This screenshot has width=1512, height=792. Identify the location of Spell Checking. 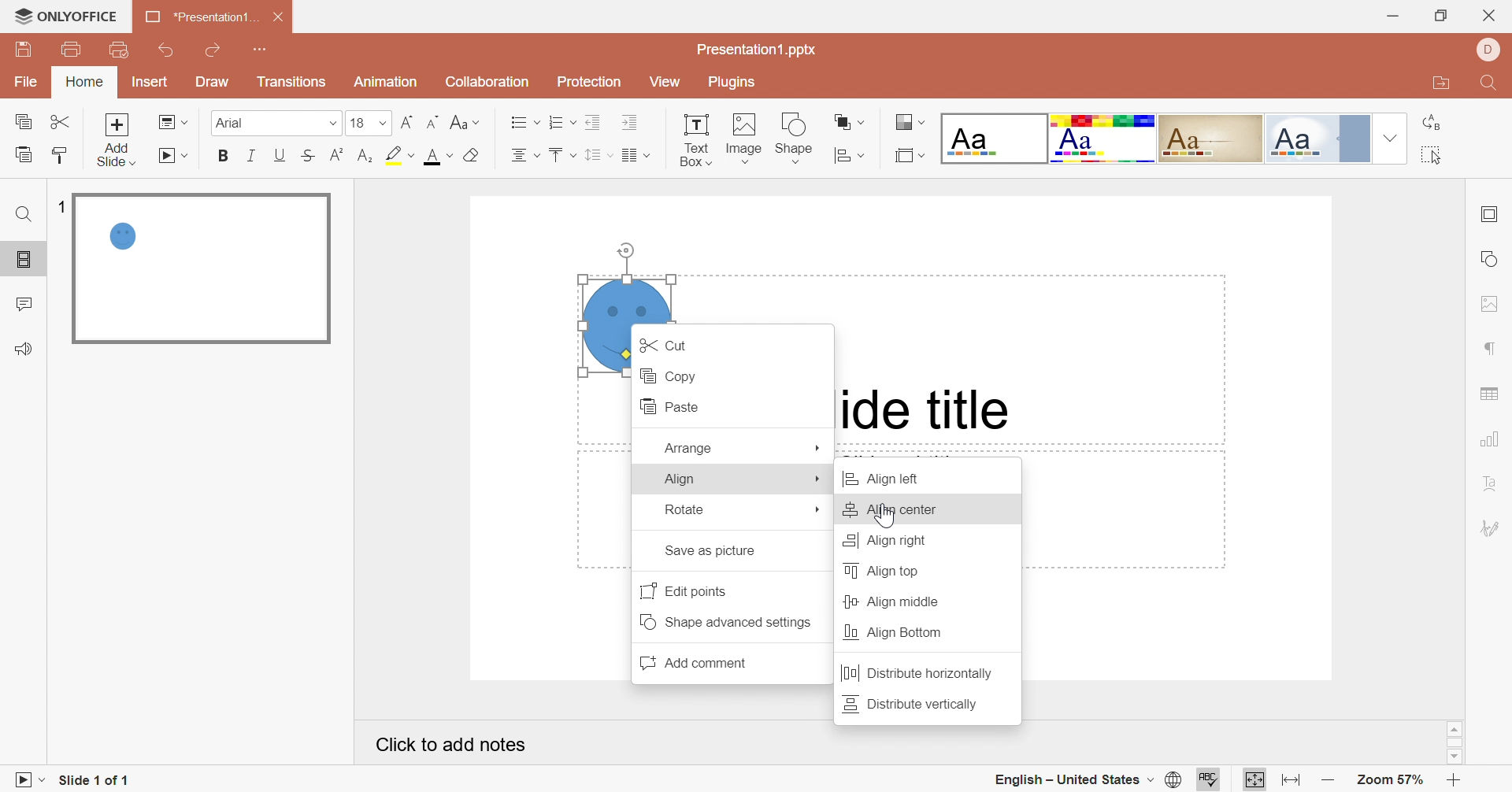
(1210, 779).